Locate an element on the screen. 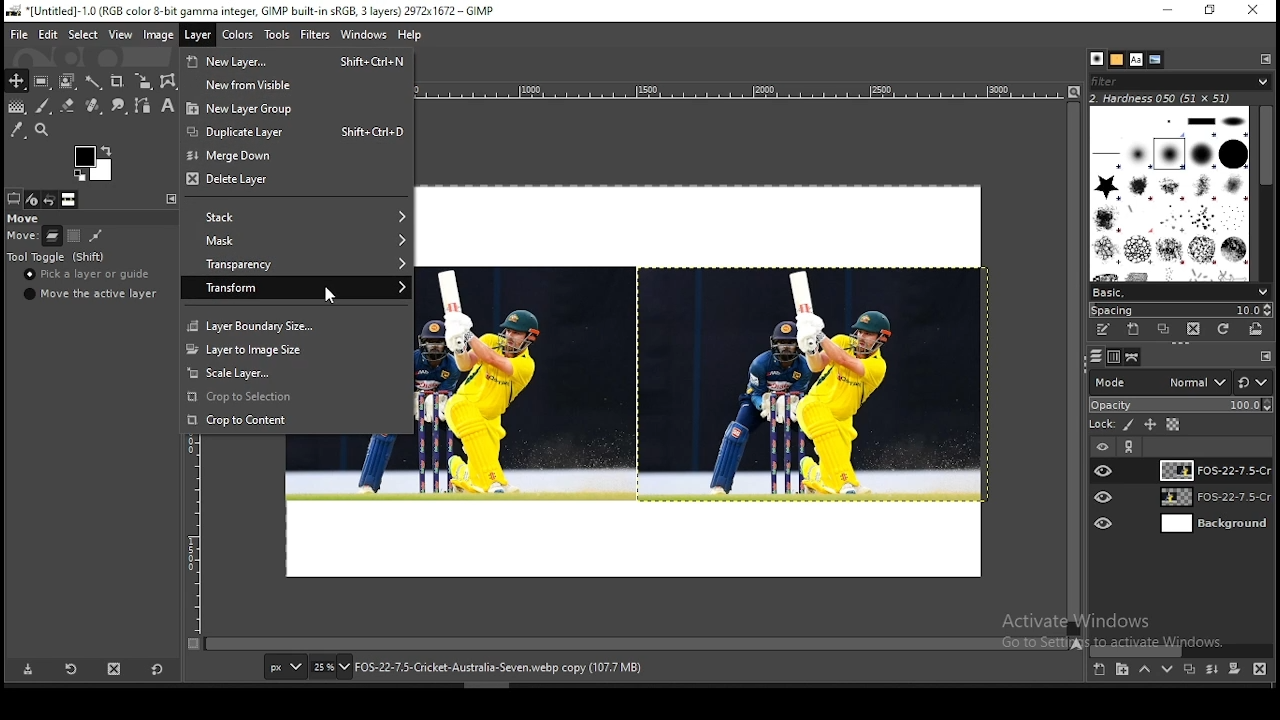  zoom status is located at coordinates (331, 669).